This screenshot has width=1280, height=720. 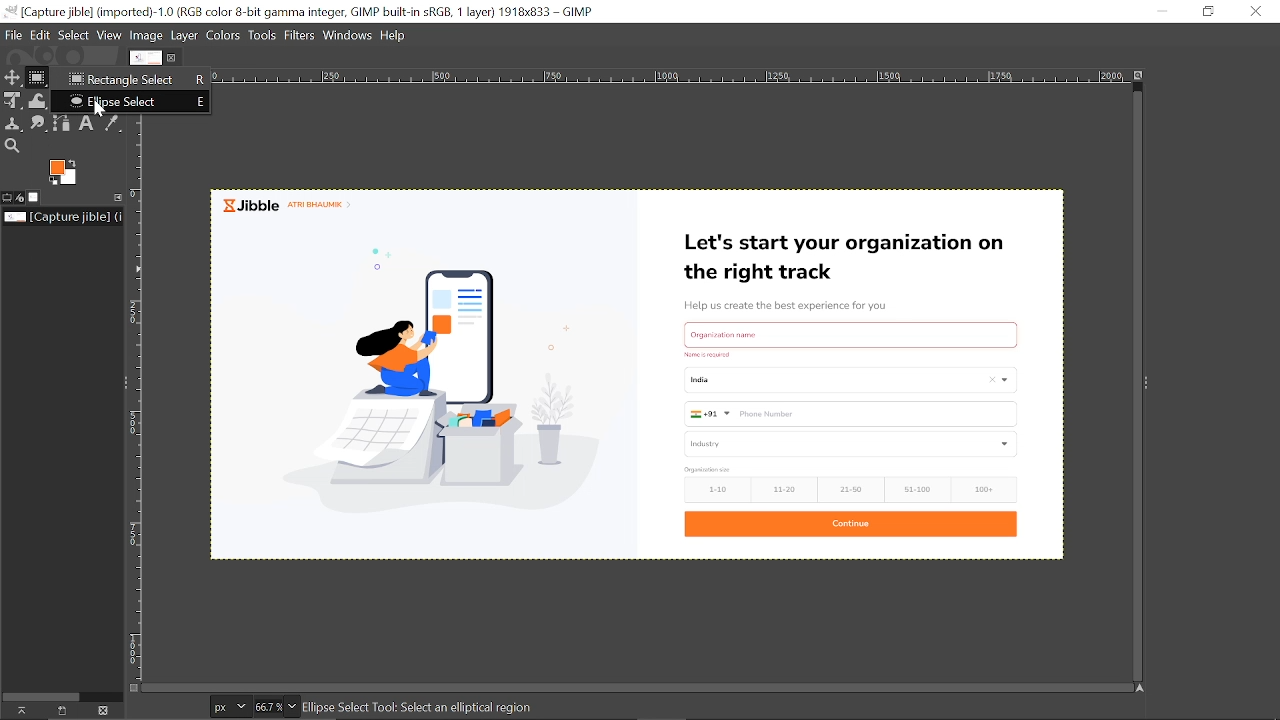 I want to click on Text tool, so click(x=87, y=123).